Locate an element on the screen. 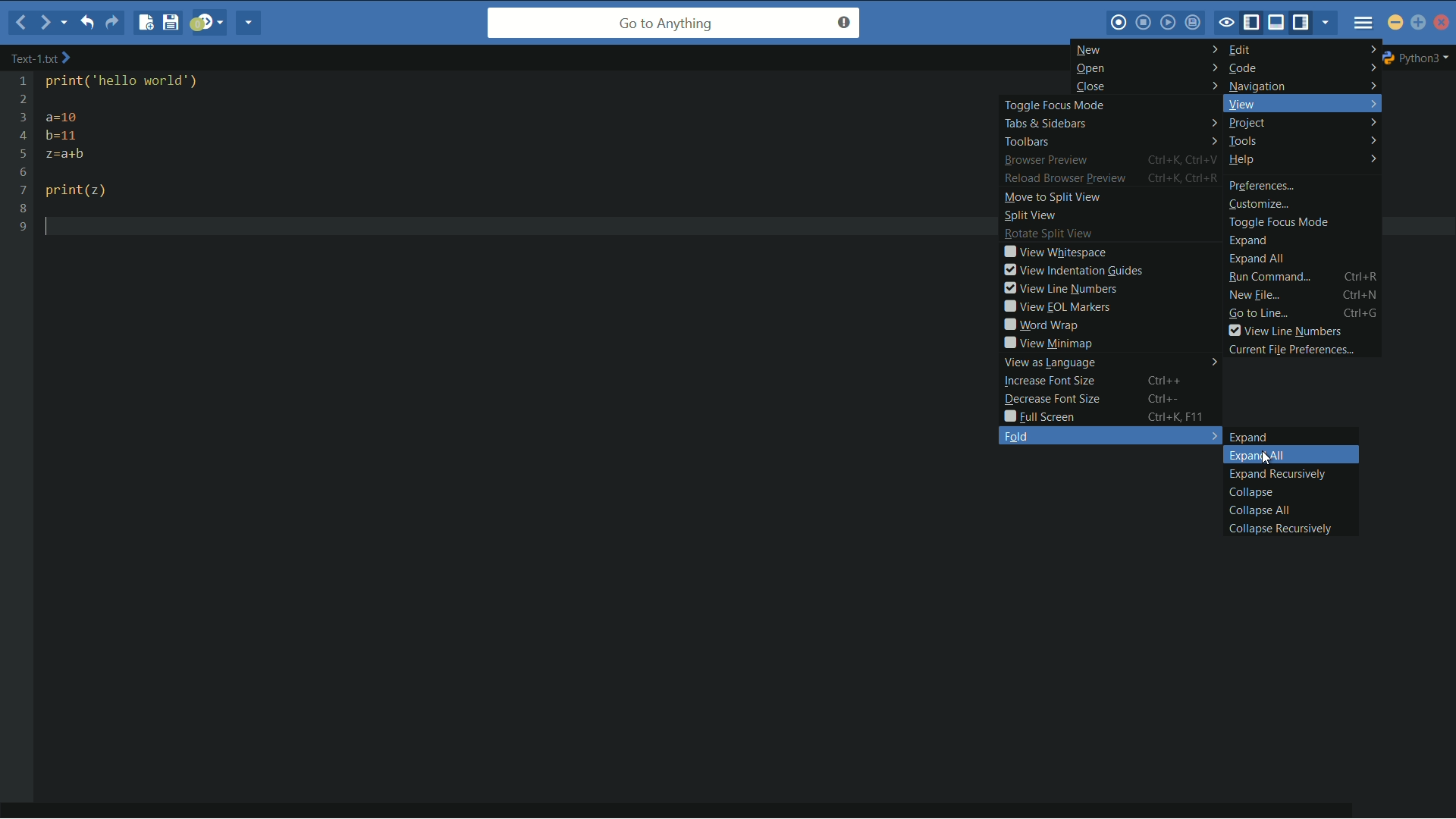 Image resolution: width=1456 pixels, height=819 pixels. help is located at coordinates (1304, 161).